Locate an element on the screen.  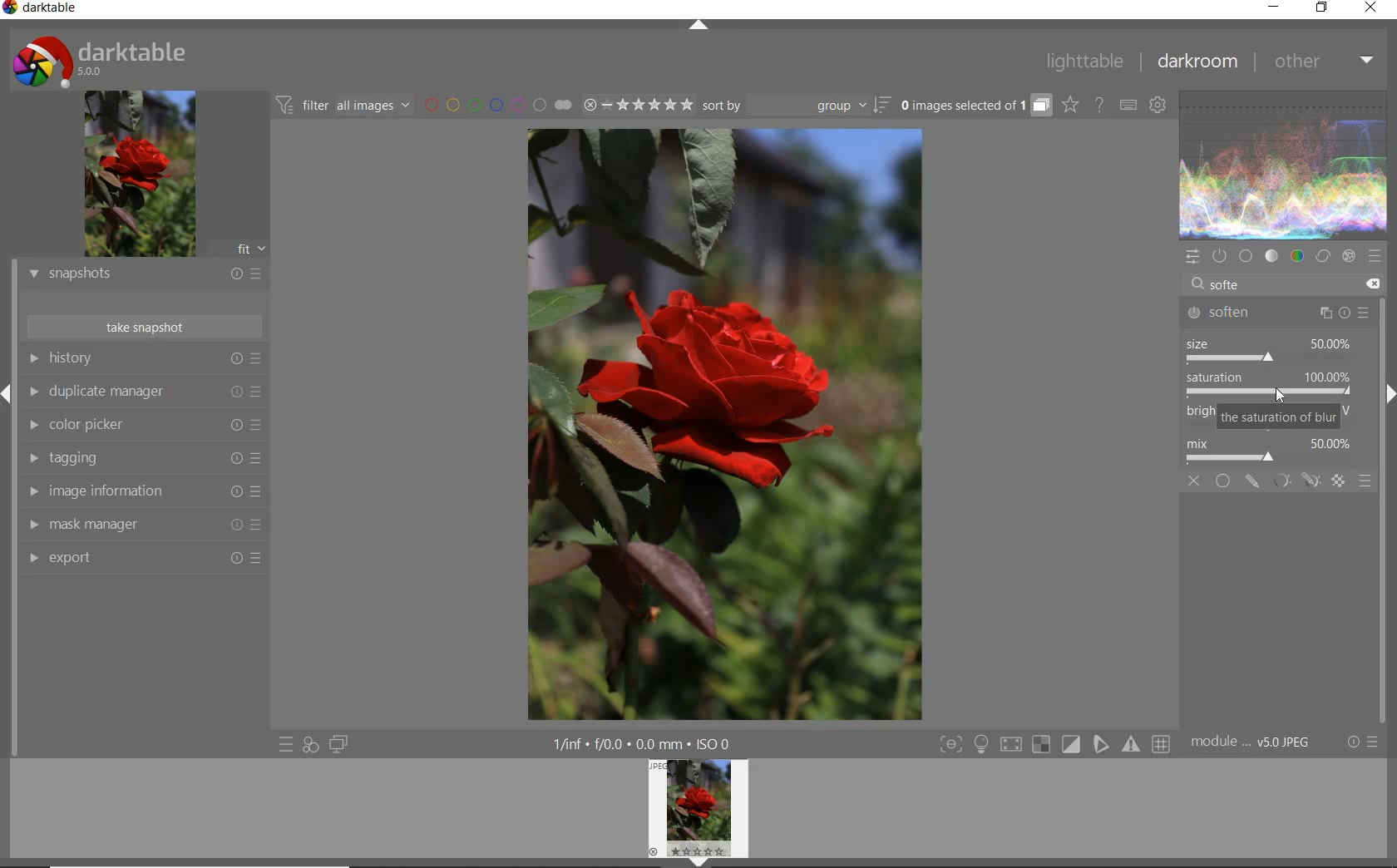
click to change overlays on thumbnails is located at coordinates (1068, 104).